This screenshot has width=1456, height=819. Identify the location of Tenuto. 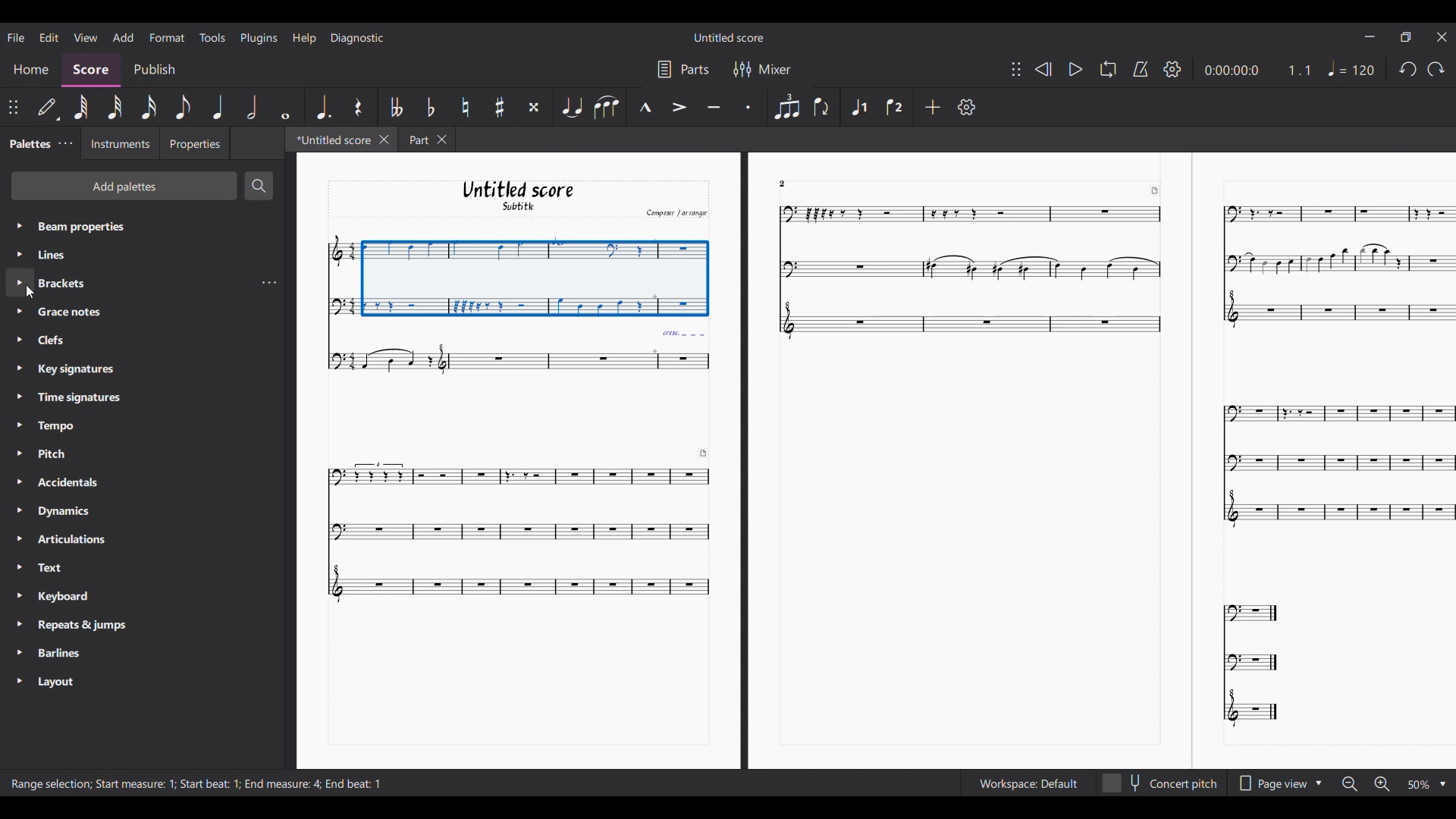
(713, 105).